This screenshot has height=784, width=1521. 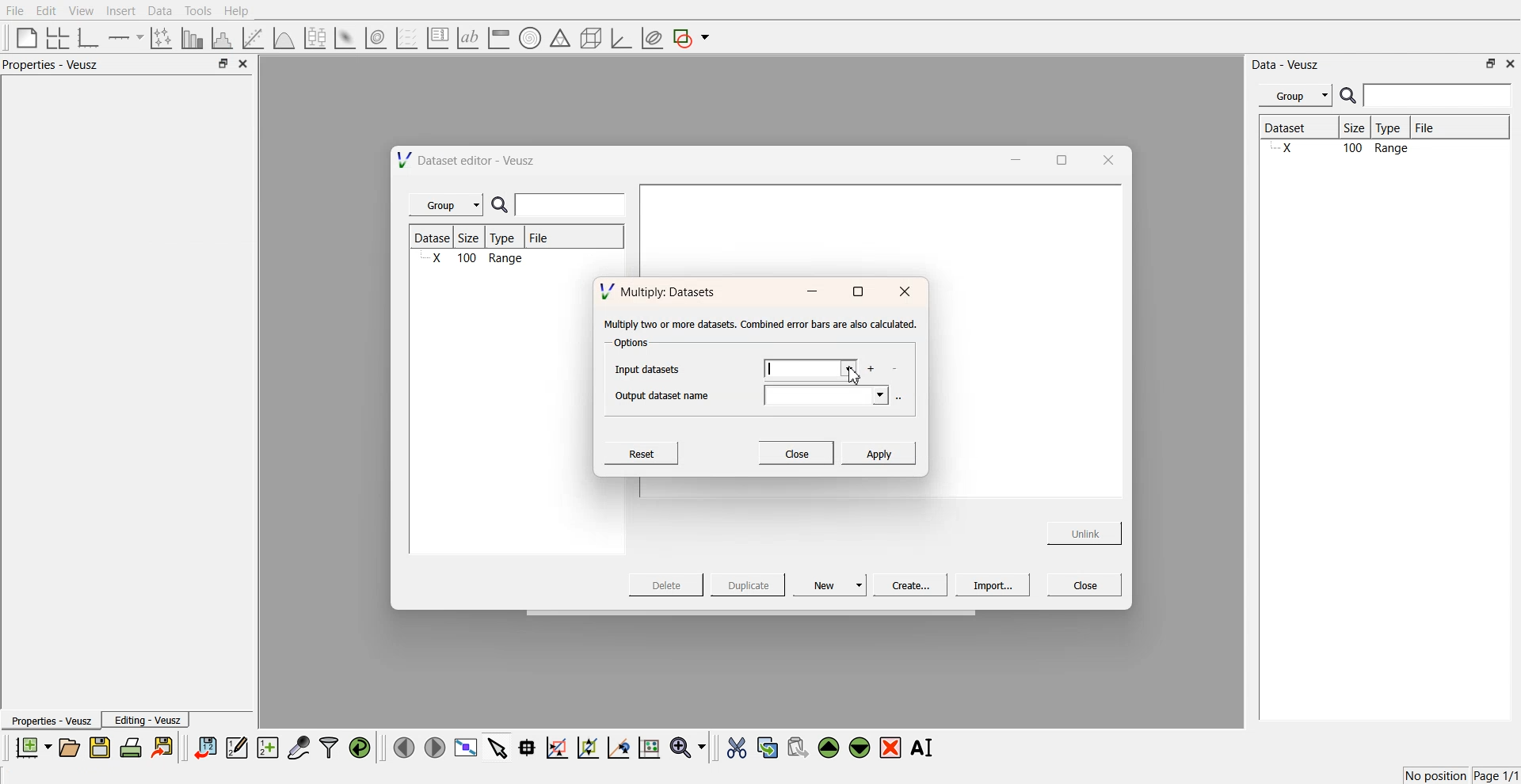 What do you see at coordinates (375, 39) in the screenshot?
I see `plot a 2d data set as contour` at bounding box center [375, 39].